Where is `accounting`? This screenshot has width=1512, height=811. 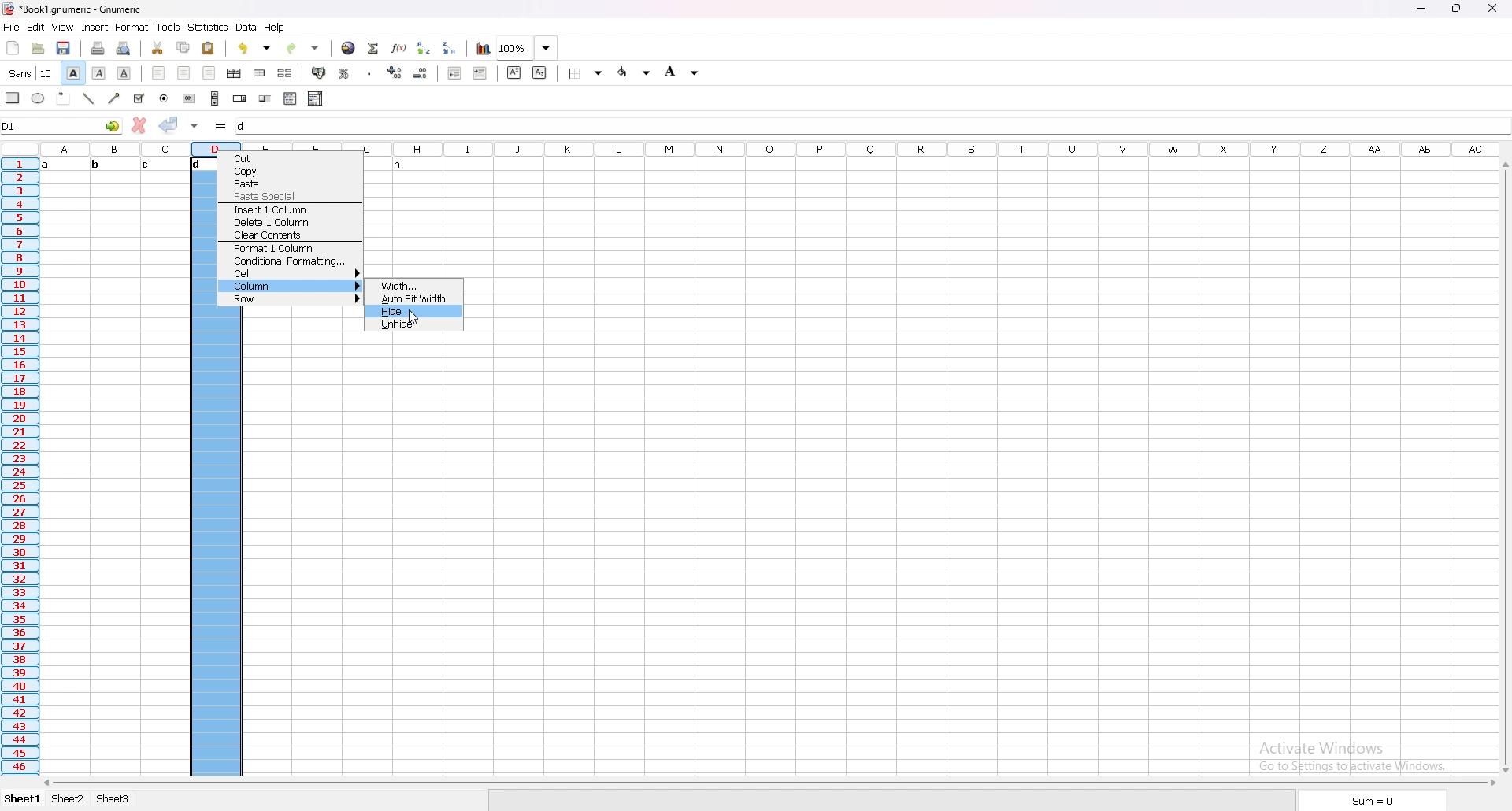
accounting is located at coordinates (320, 73).